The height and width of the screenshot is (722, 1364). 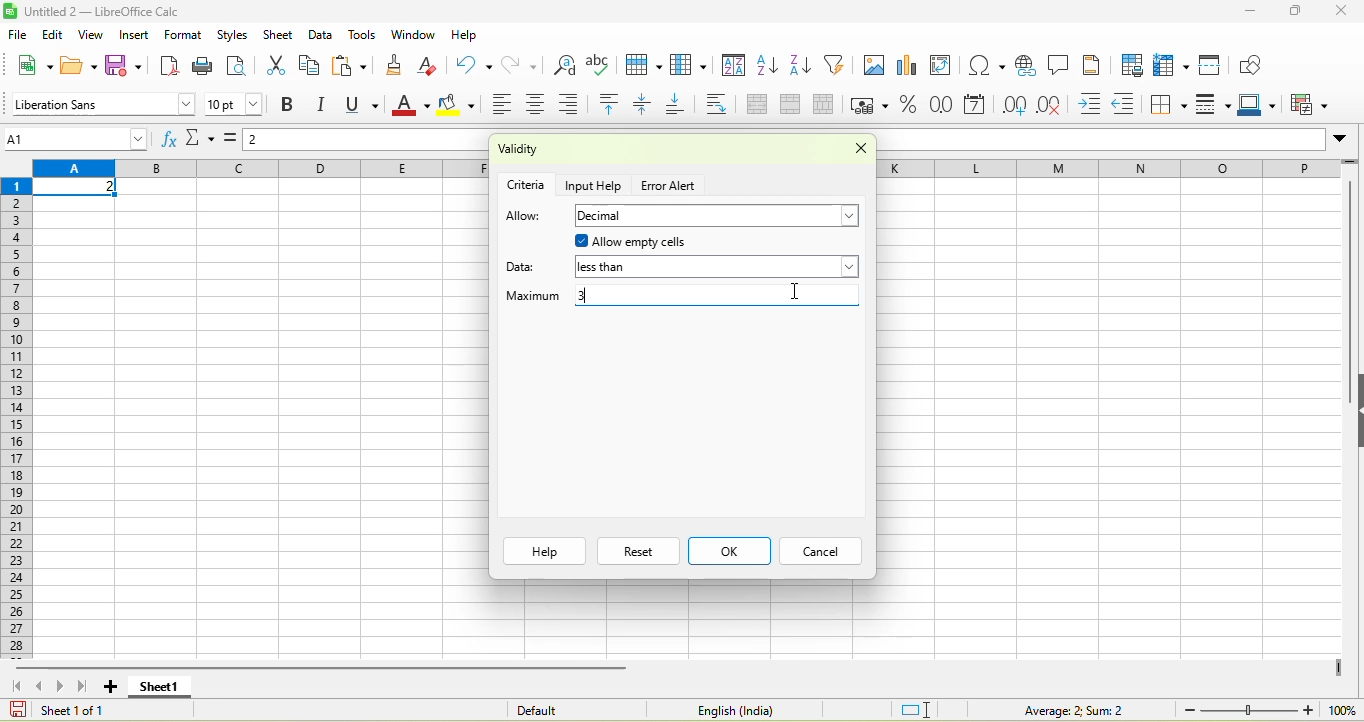 What do you see at coordinates (352, 66) in the screenshot?
I see `paste` at bounding box center [352, 66].